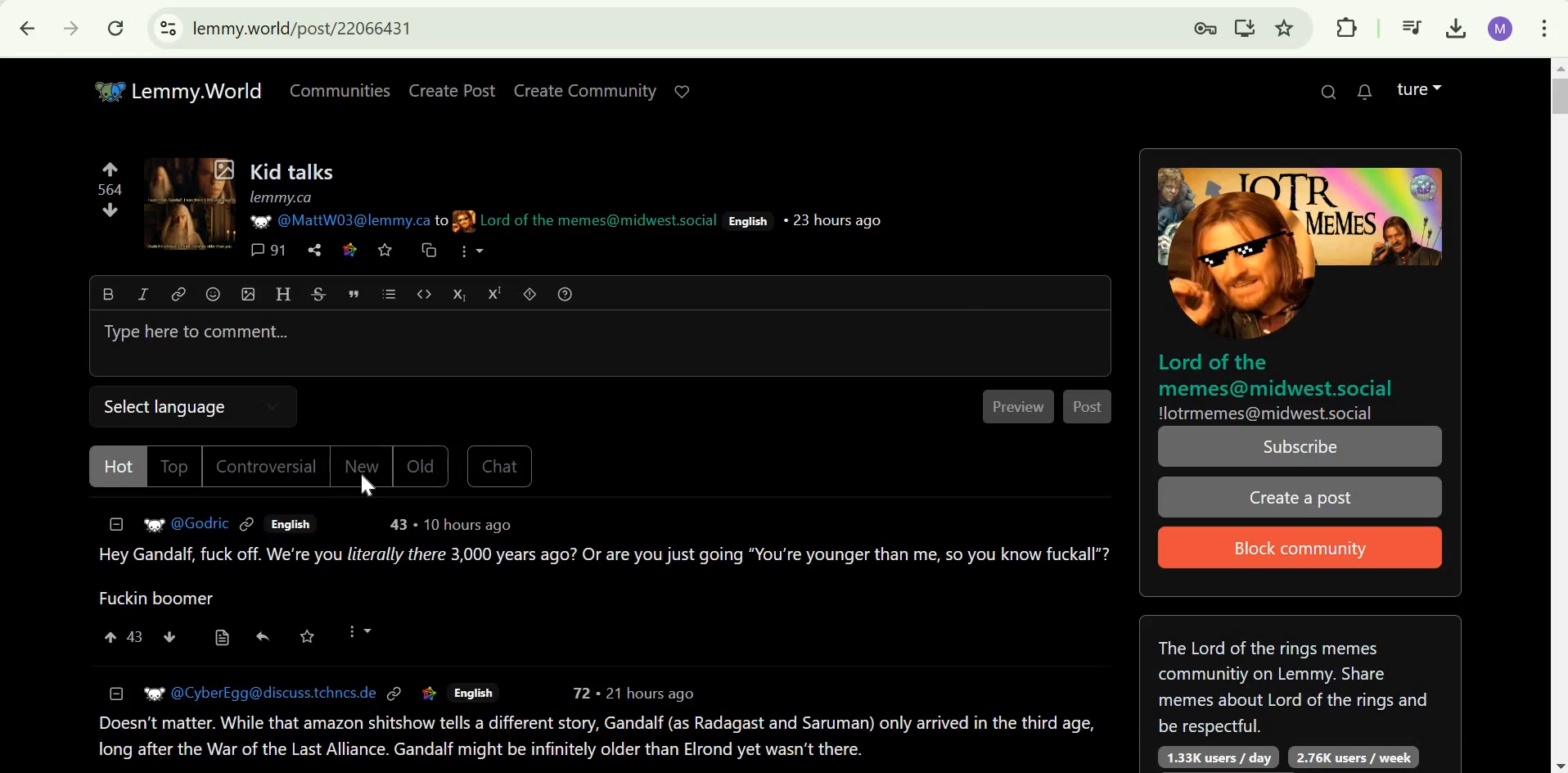  I want to click on Bookmark this page, so click(1284, 28).